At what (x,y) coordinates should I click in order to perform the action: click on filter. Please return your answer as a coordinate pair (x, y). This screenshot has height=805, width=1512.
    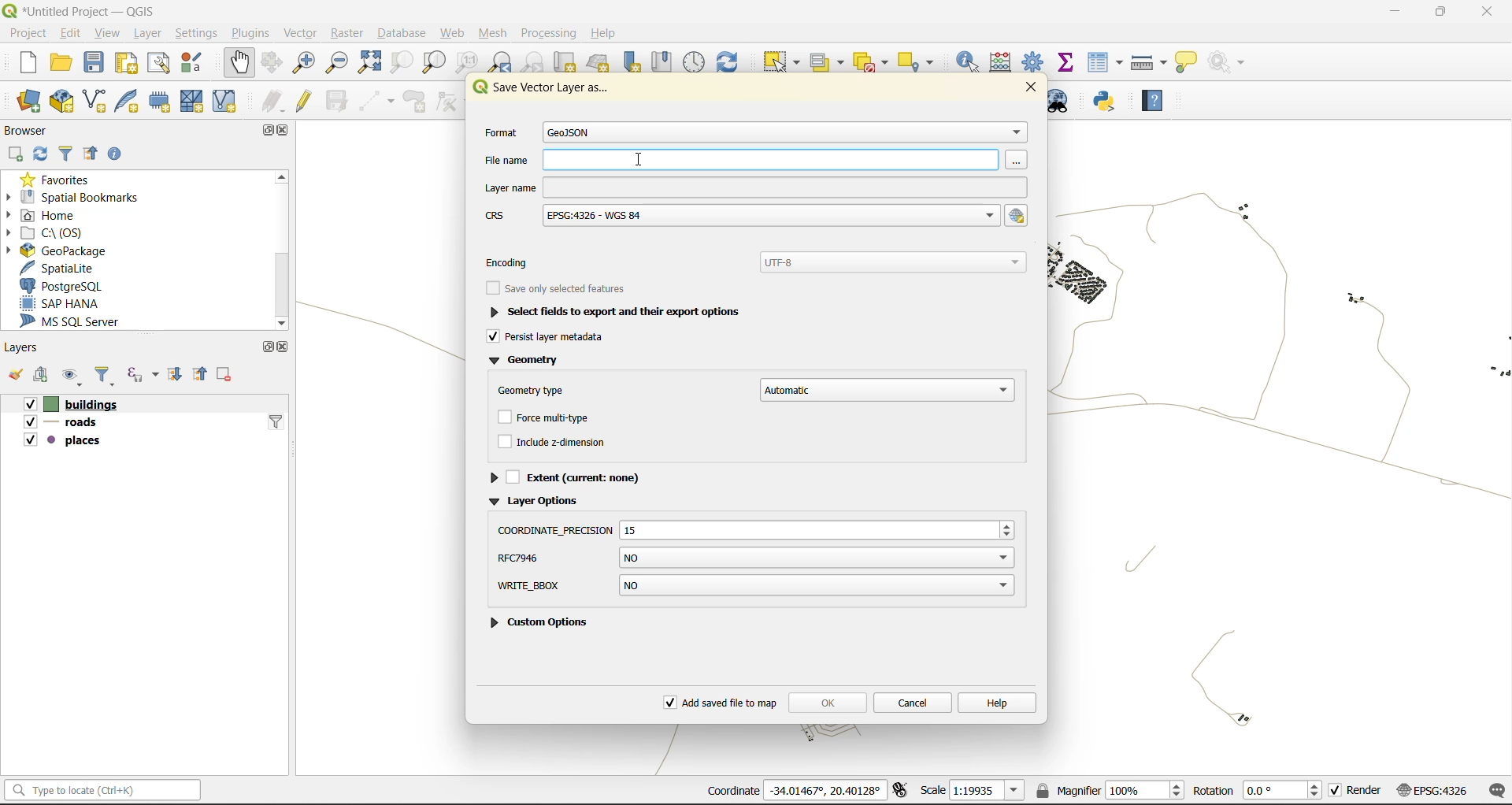
    Looking at the image, I should click on (67, 153).